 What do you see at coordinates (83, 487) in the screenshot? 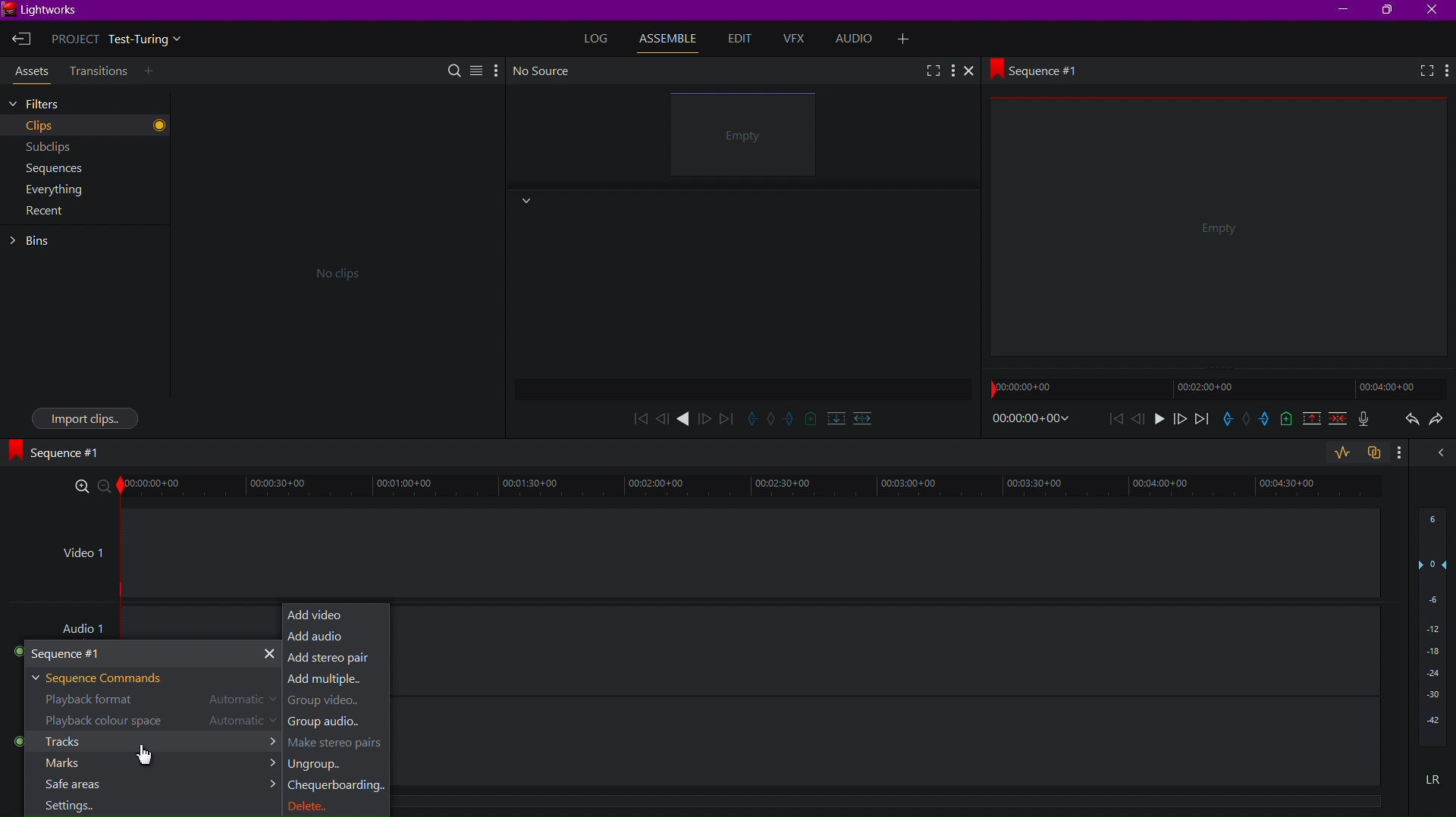
I see `Zoom In` at bounding box center [83, 487].